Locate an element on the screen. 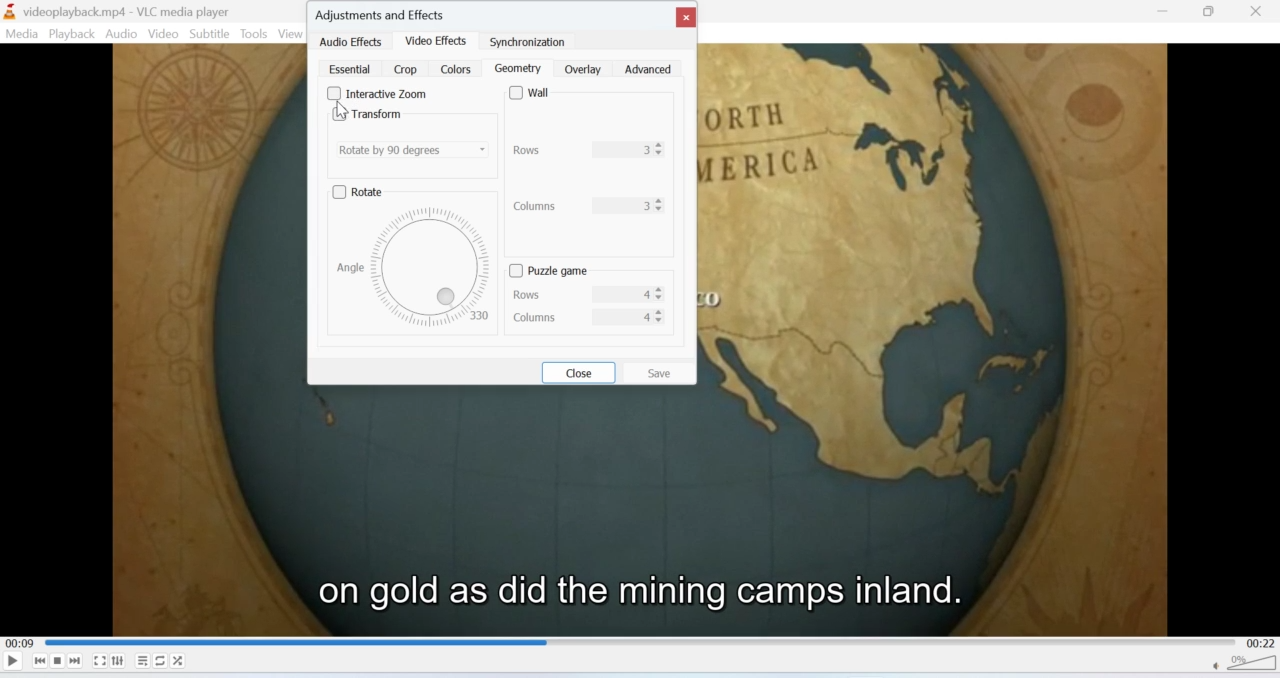 This screenshot has height=678, width=1280. Volume is located at coordinates (1246, 666).